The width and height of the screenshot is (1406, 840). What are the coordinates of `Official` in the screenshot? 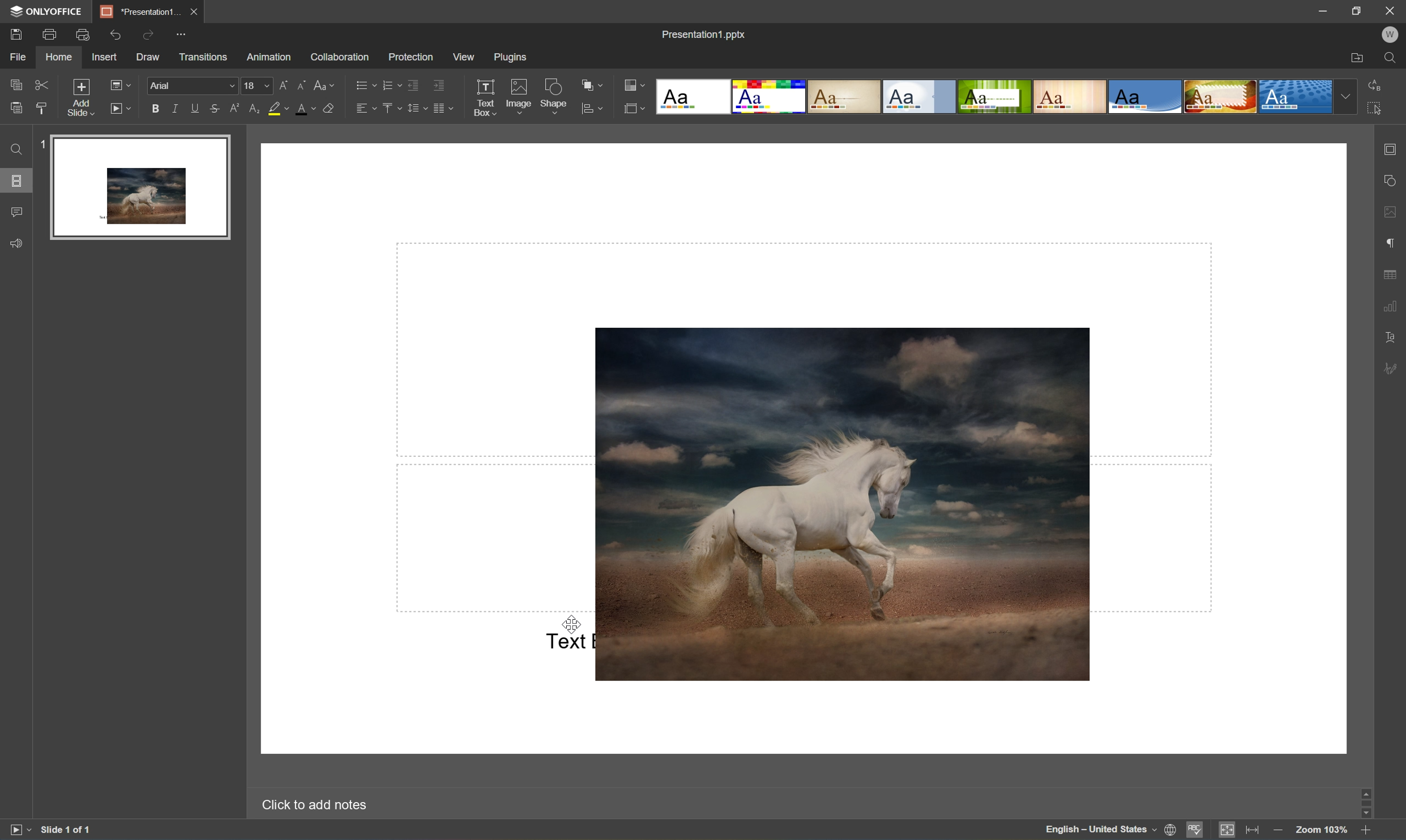 It's located at (920, 96).